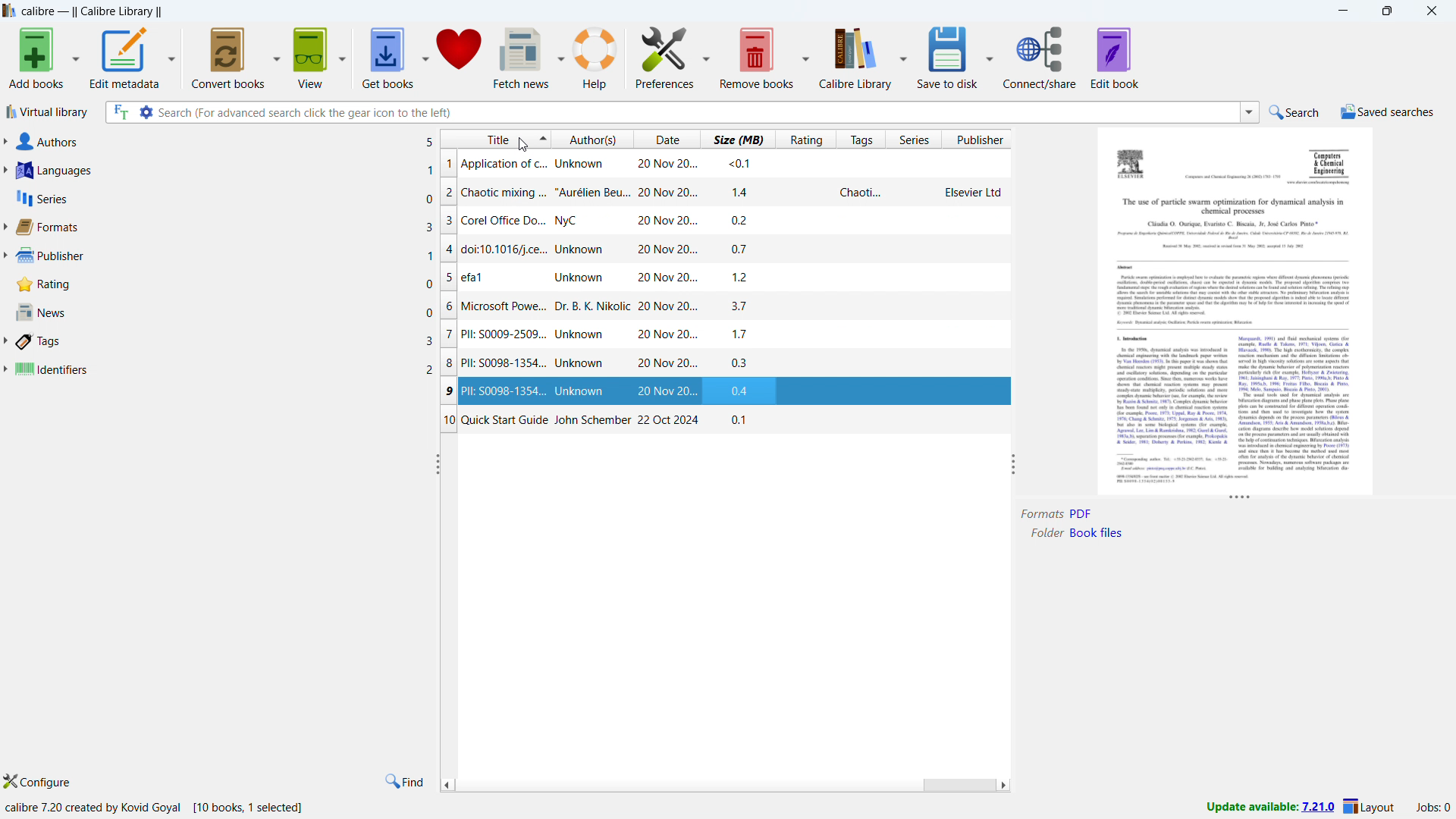 The height and width of the screenshot is (819, 1456). I want to click on remove books options, so click(803, 58).